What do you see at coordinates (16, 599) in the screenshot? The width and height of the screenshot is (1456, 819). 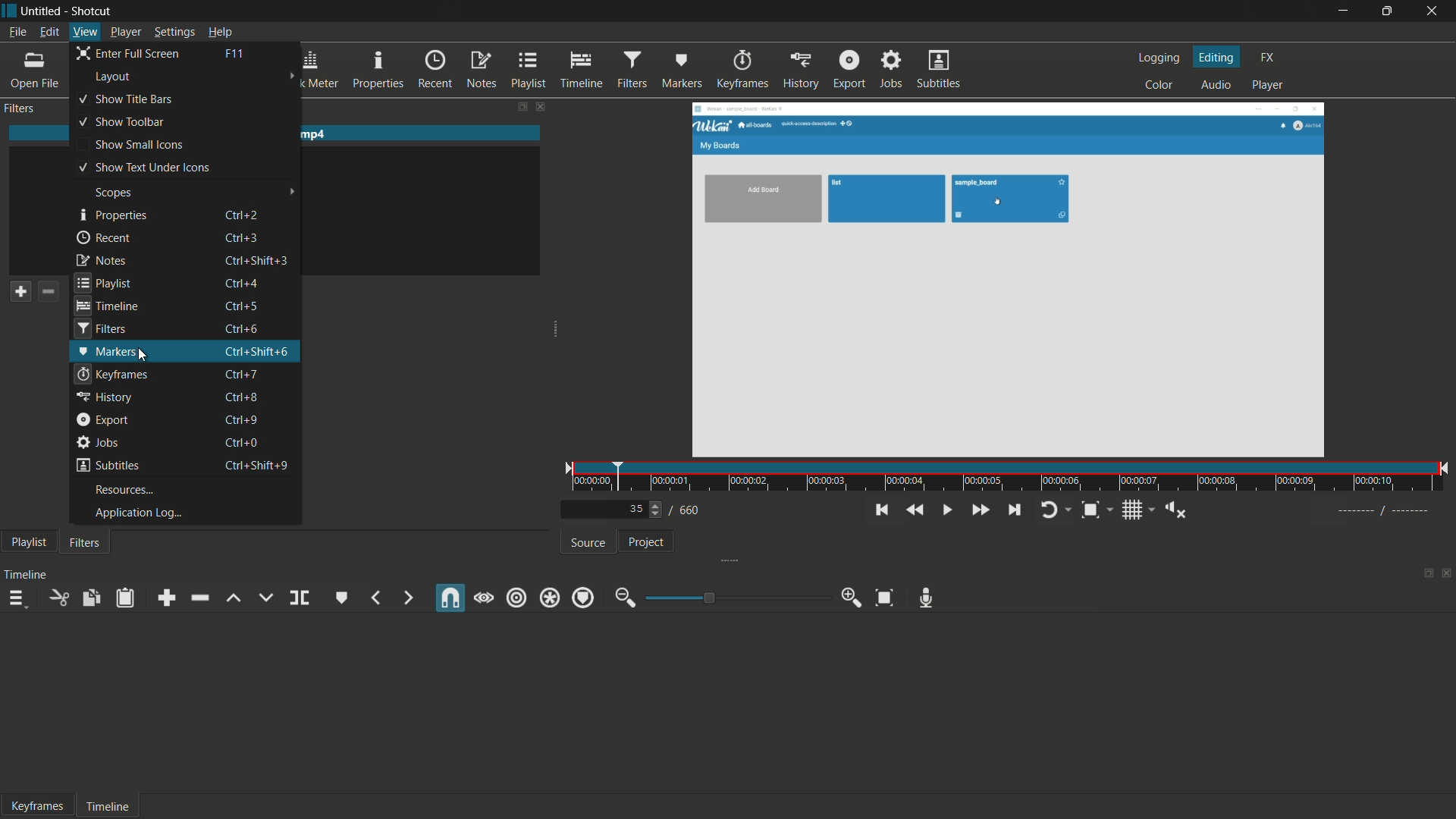 I see `timeline menu` at bounding box center [16, 599].